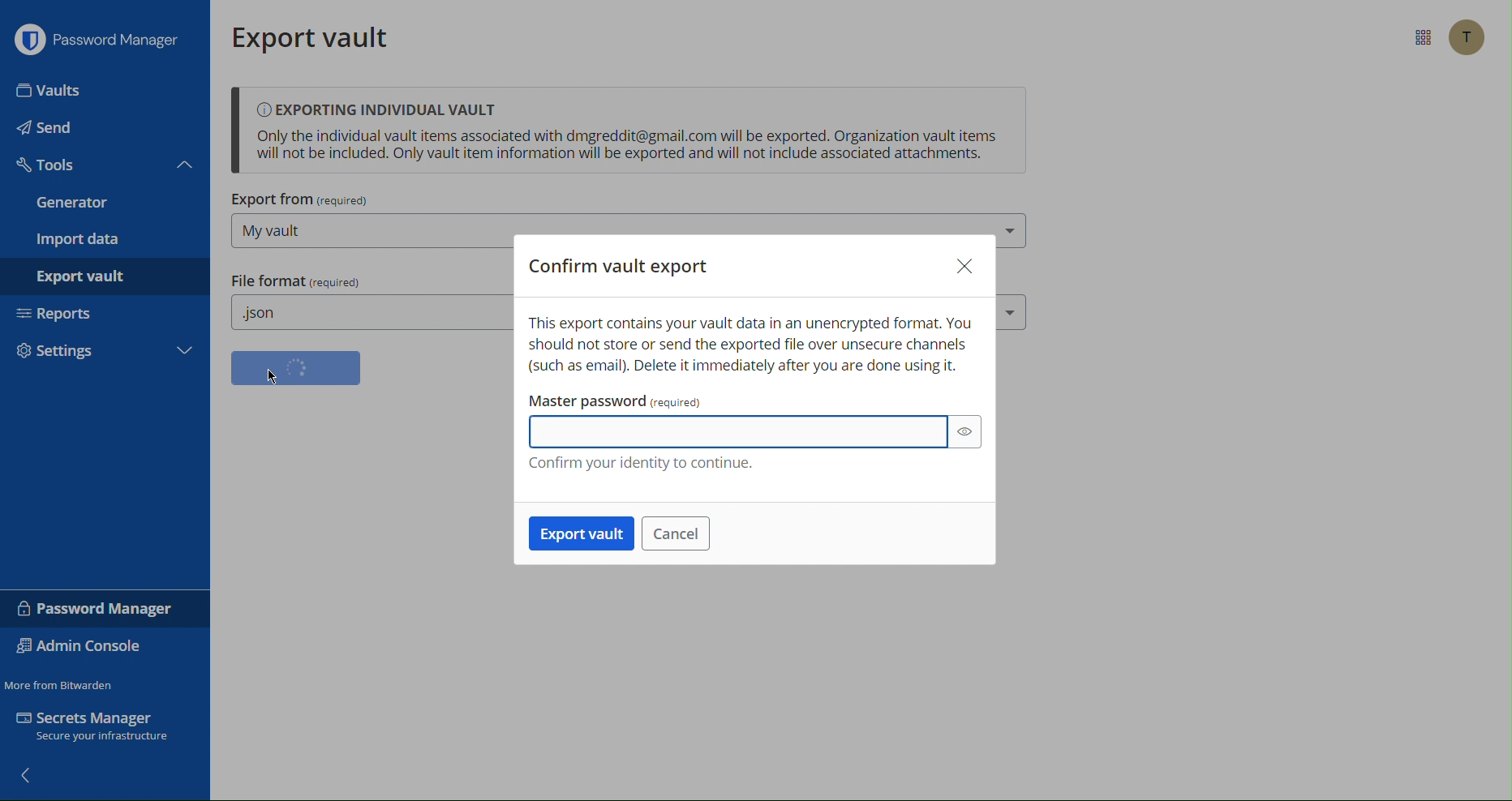  I want to click on Master password, so click(616, 398).